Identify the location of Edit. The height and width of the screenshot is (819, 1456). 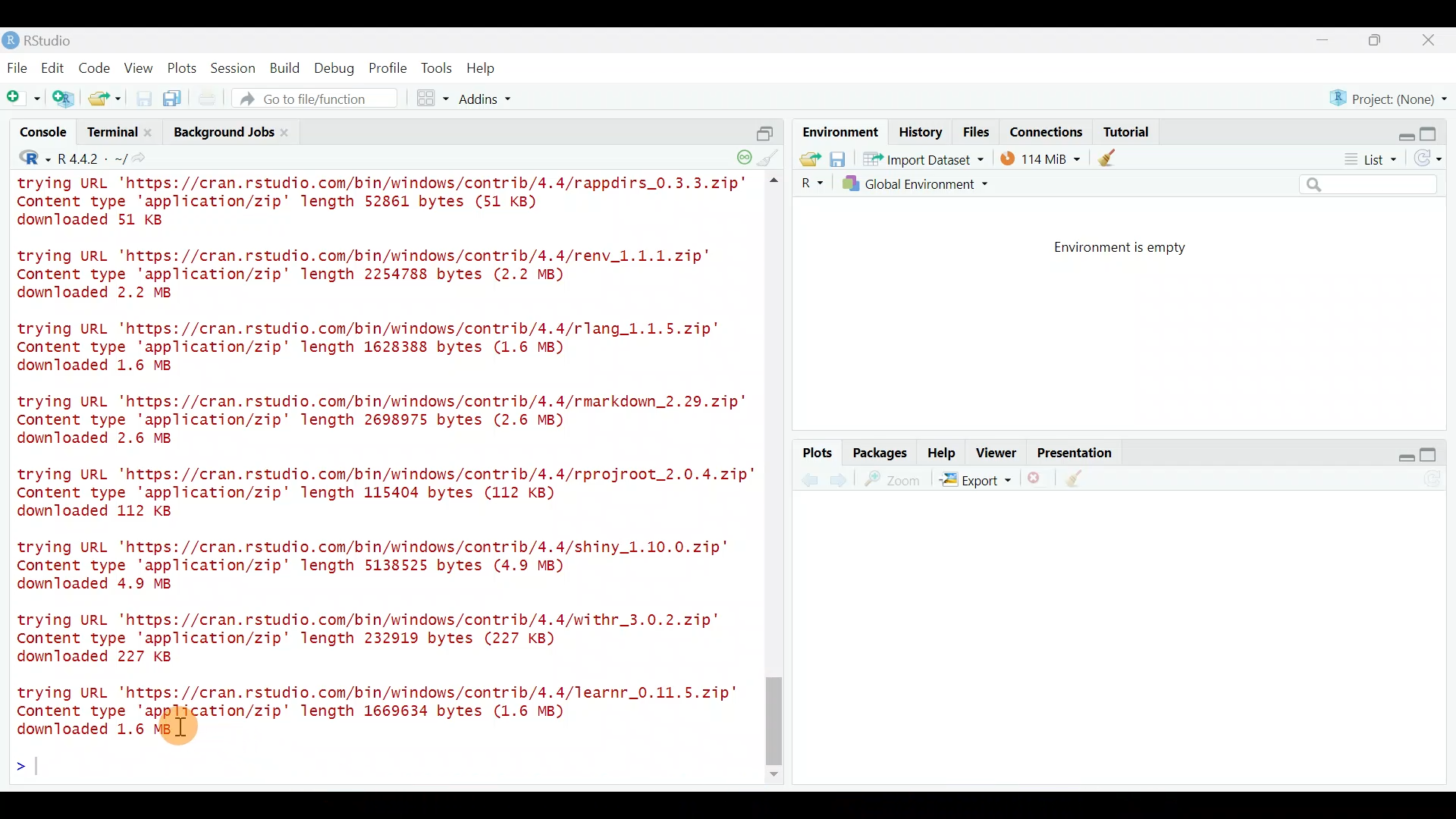
(55, 69).